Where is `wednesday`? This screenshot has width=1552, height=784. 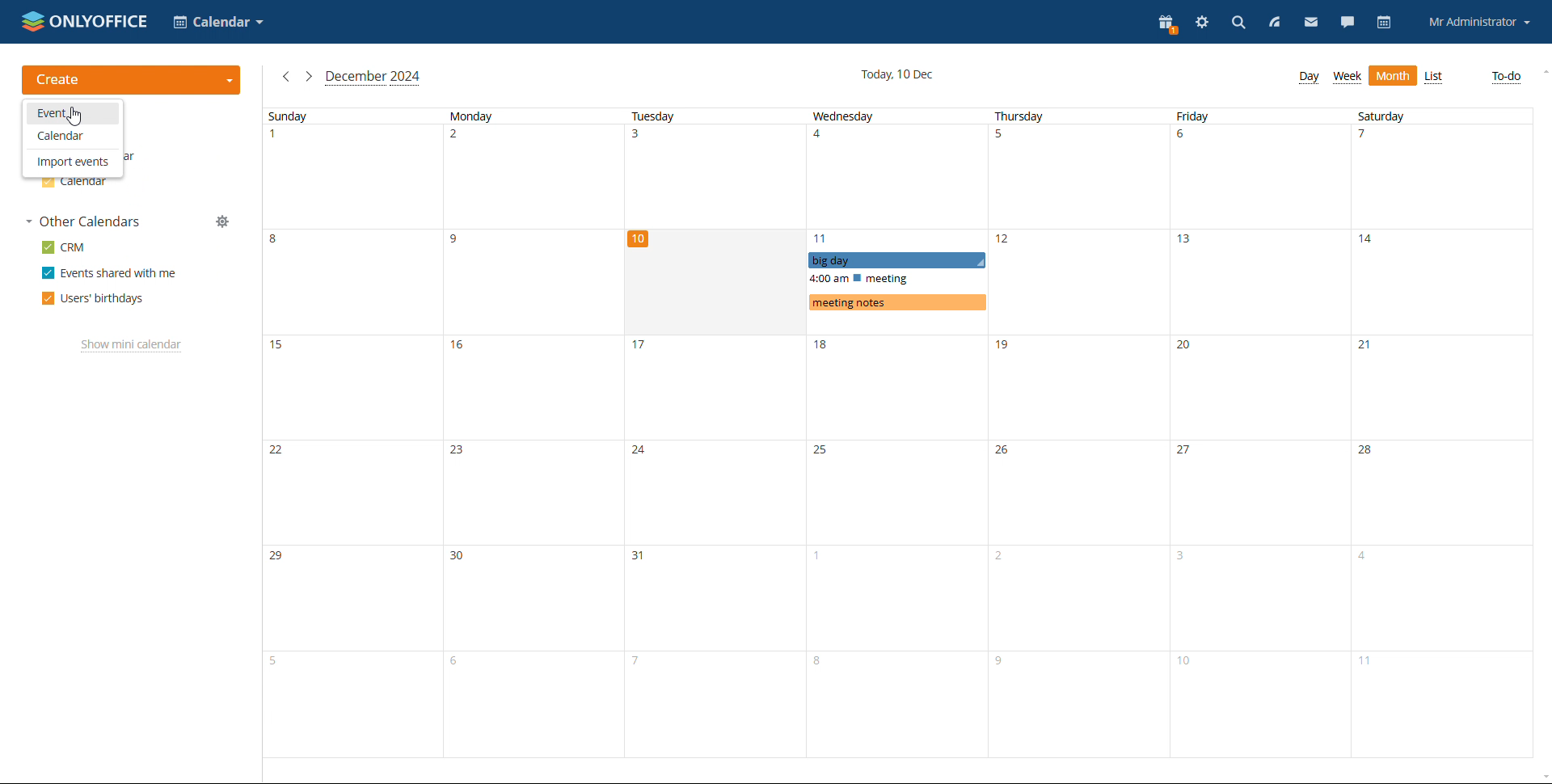
wednesday is located at coordinates (897, 432).